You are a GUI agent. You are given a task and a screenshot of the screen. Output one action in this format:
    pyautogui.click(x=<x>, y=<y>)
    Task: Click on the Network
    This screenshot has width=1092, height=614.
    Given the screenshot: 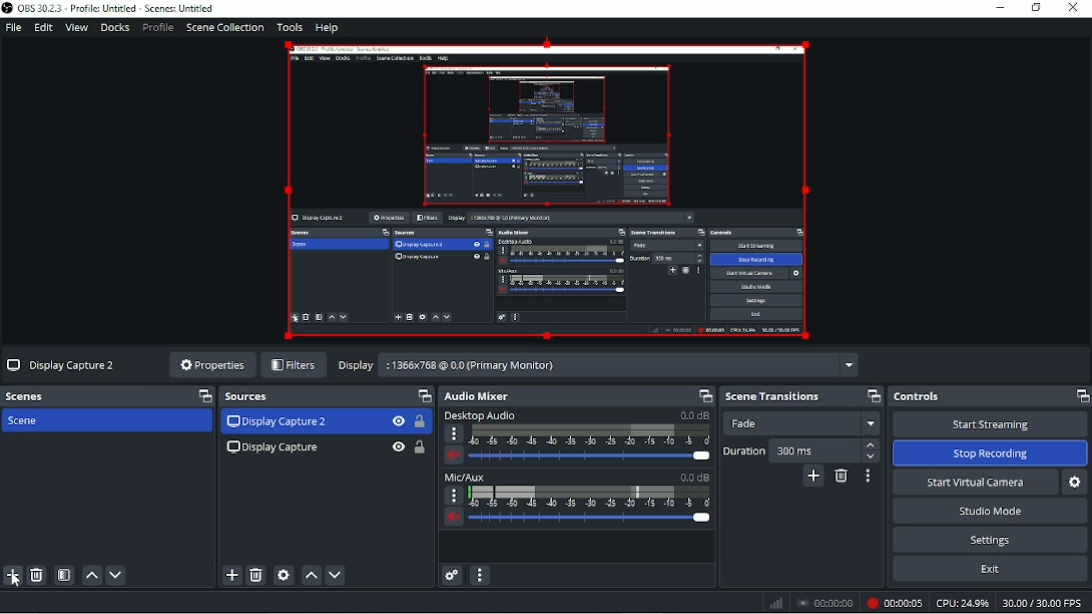 What is the action you would take?
    pyautogui.click(x=774, y=602)
    